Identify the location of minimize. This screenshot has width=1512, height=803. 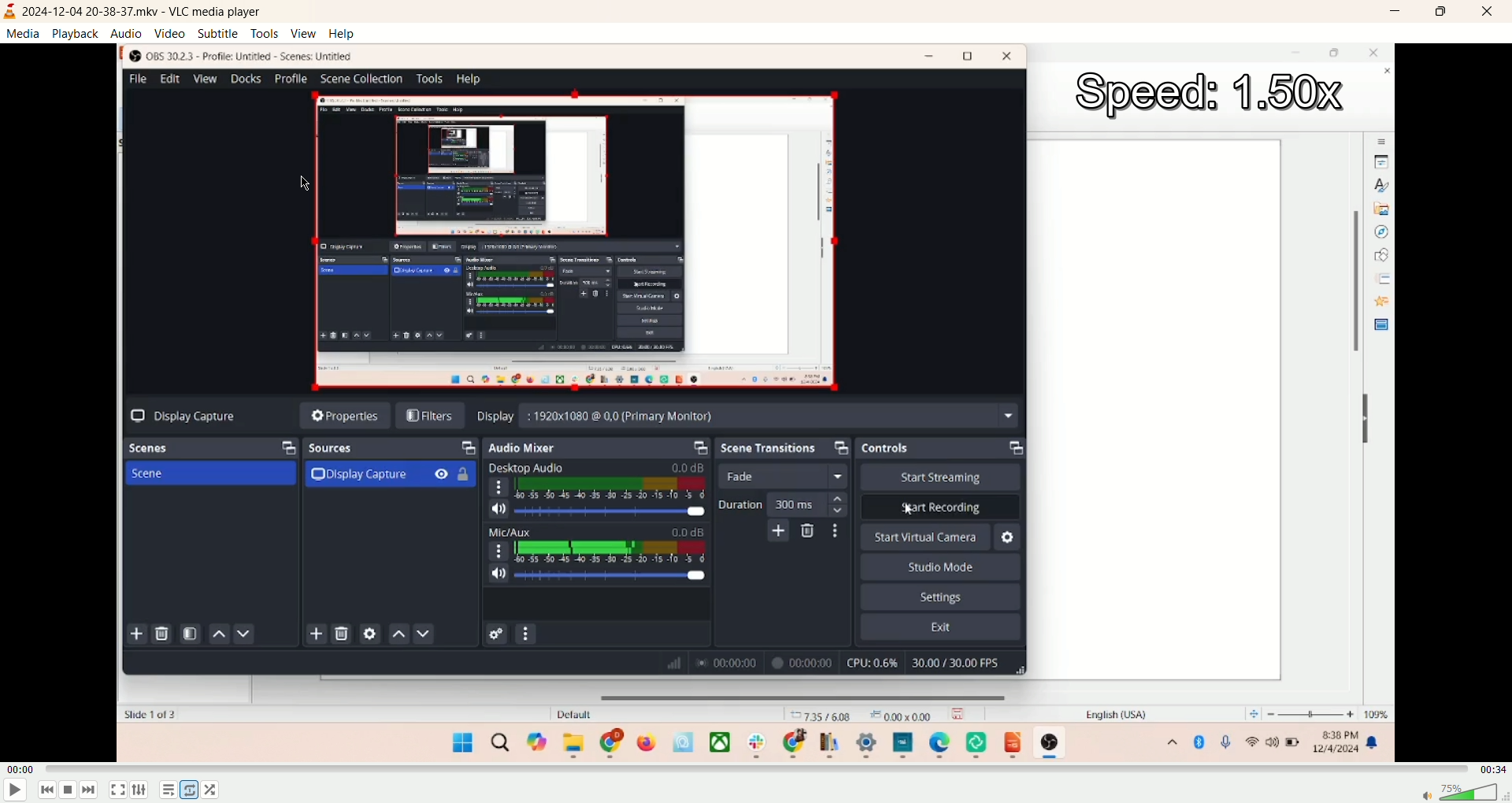
(1393, 13).